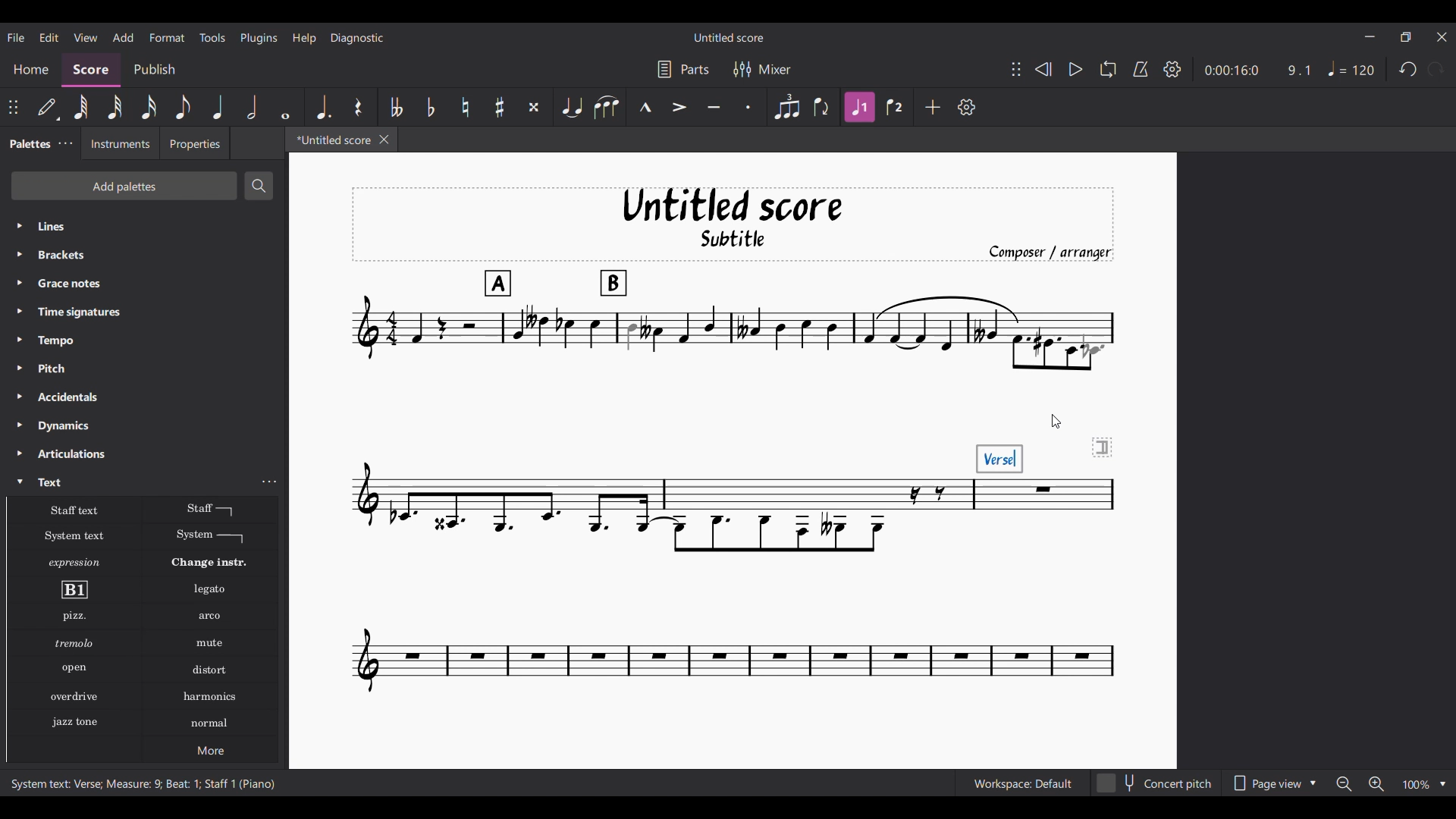 The height and width of the screenshot is (819, 1456). Describe the element at coordinates (259, 38) in the screenshot. I see `Plugins menu` at that location.